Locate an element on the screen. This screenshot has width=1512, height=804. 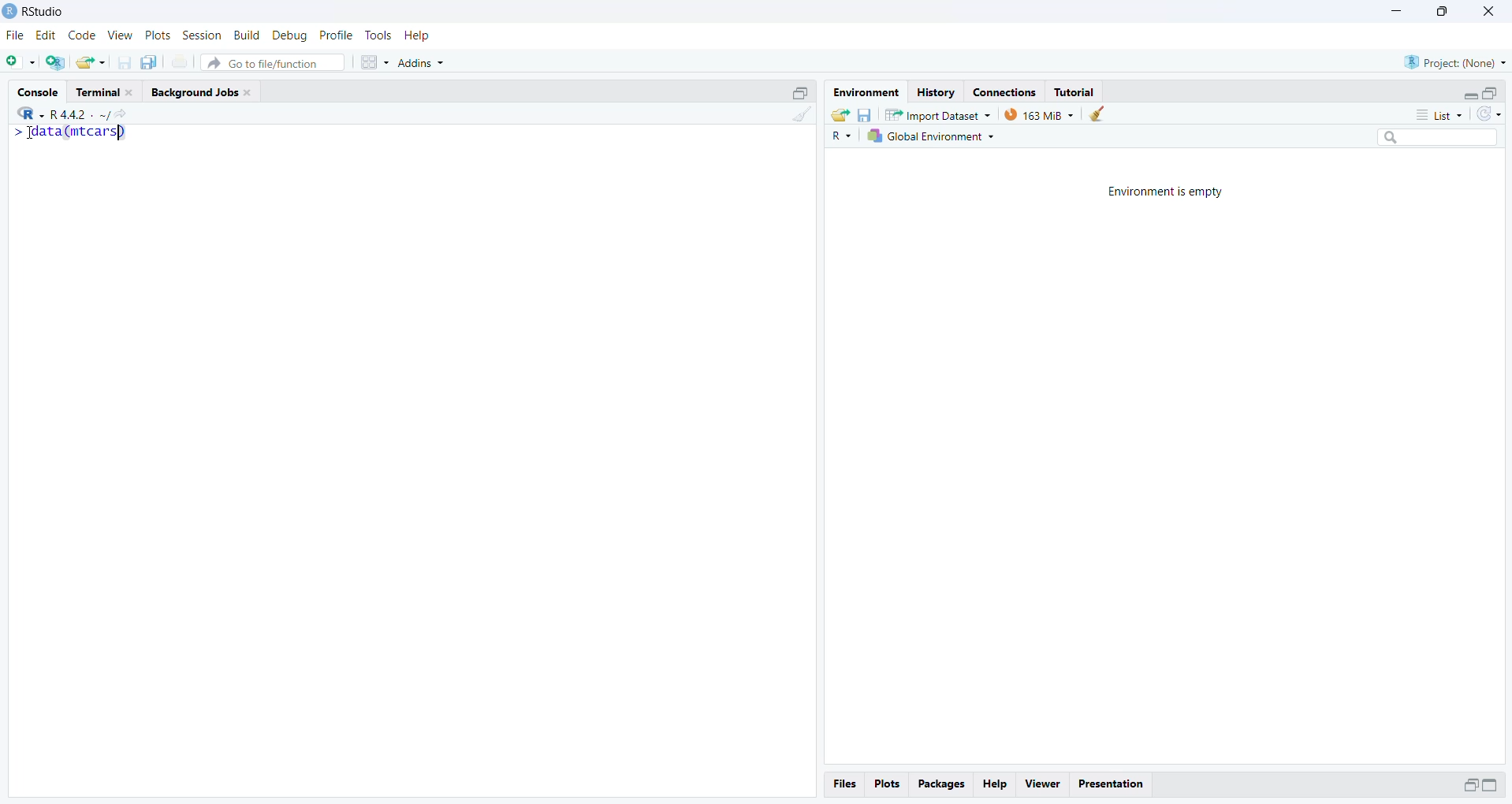
edit is located at coordinates (46, 35).